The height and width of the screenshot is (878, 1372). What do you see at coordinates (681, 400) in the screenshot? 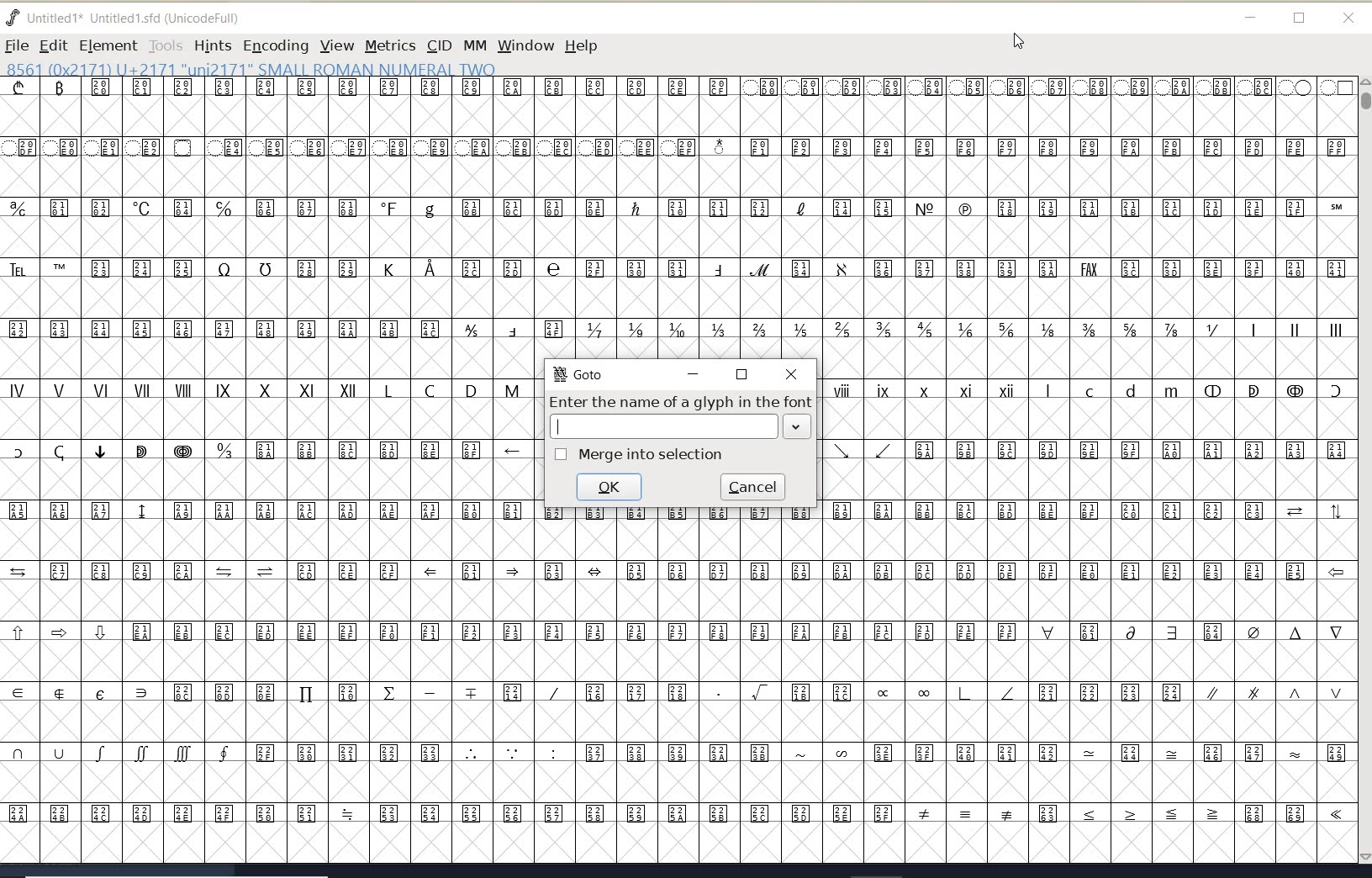
I see `Enter the name of a glyph in th font` at bounding box center [681, 400].